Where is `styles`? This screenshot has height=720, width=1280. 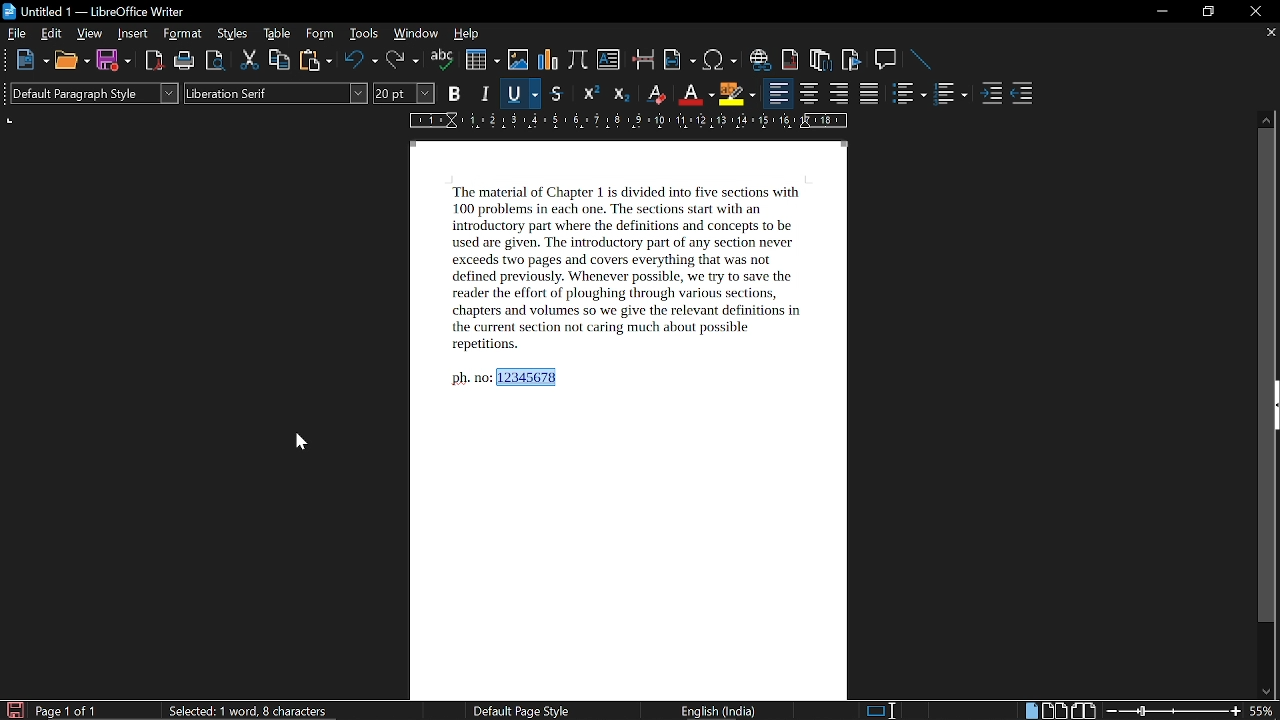
styles is located at coordinates (234, 34).